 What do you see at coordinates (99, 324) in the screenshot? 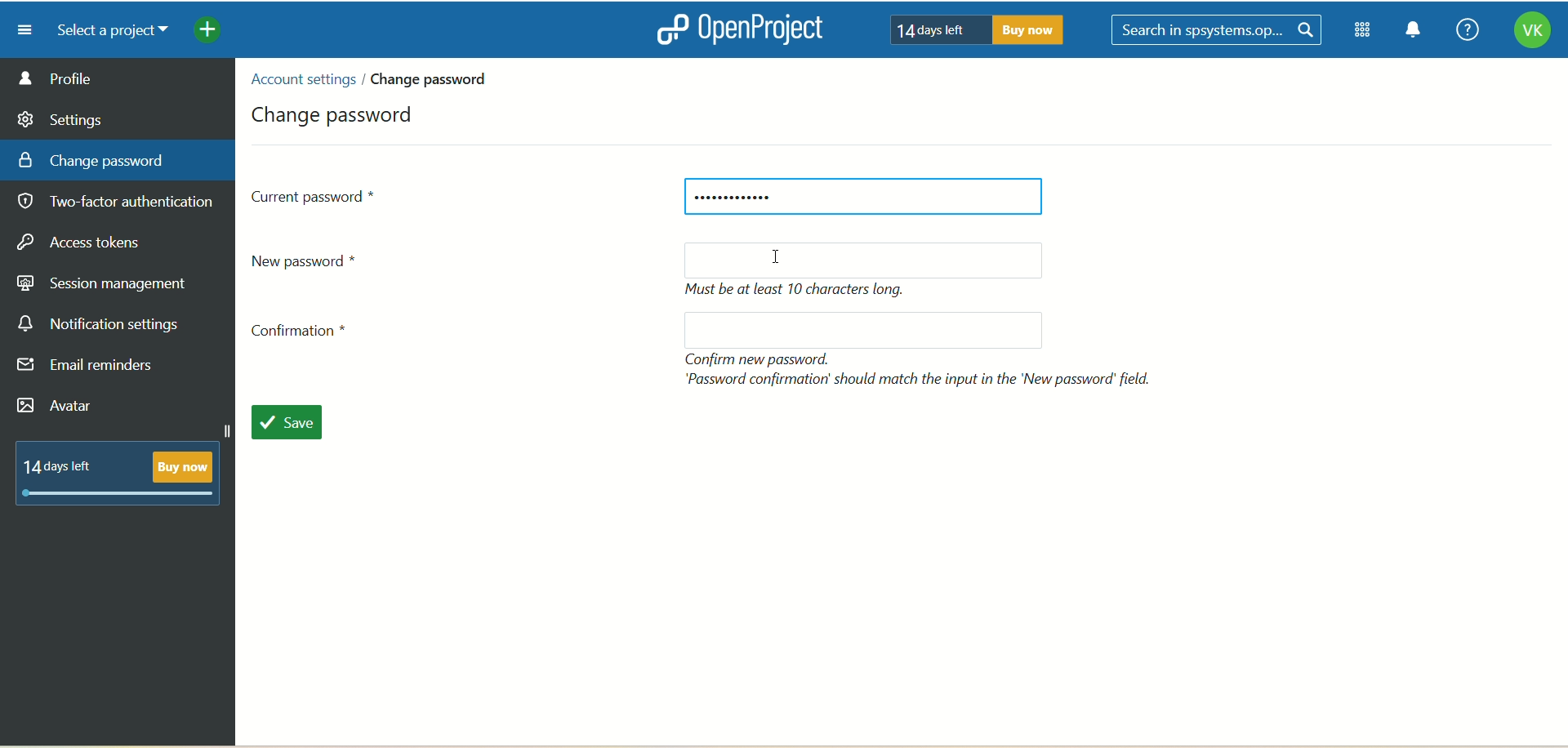
I see `notification settings` at bounding box center [99, 324].